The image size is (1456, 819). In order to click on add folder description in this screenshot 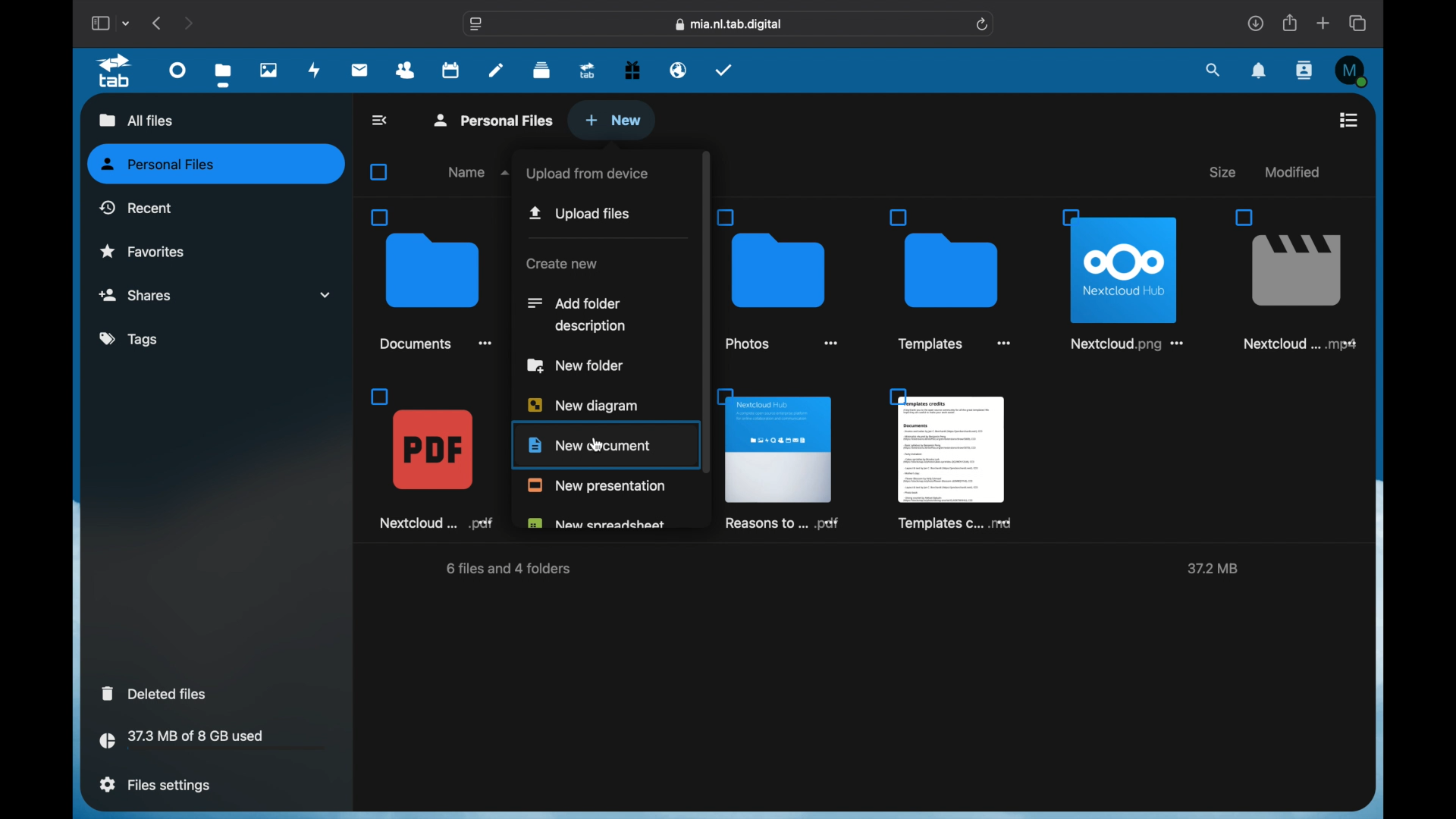, I will do `click(577, 314)`.